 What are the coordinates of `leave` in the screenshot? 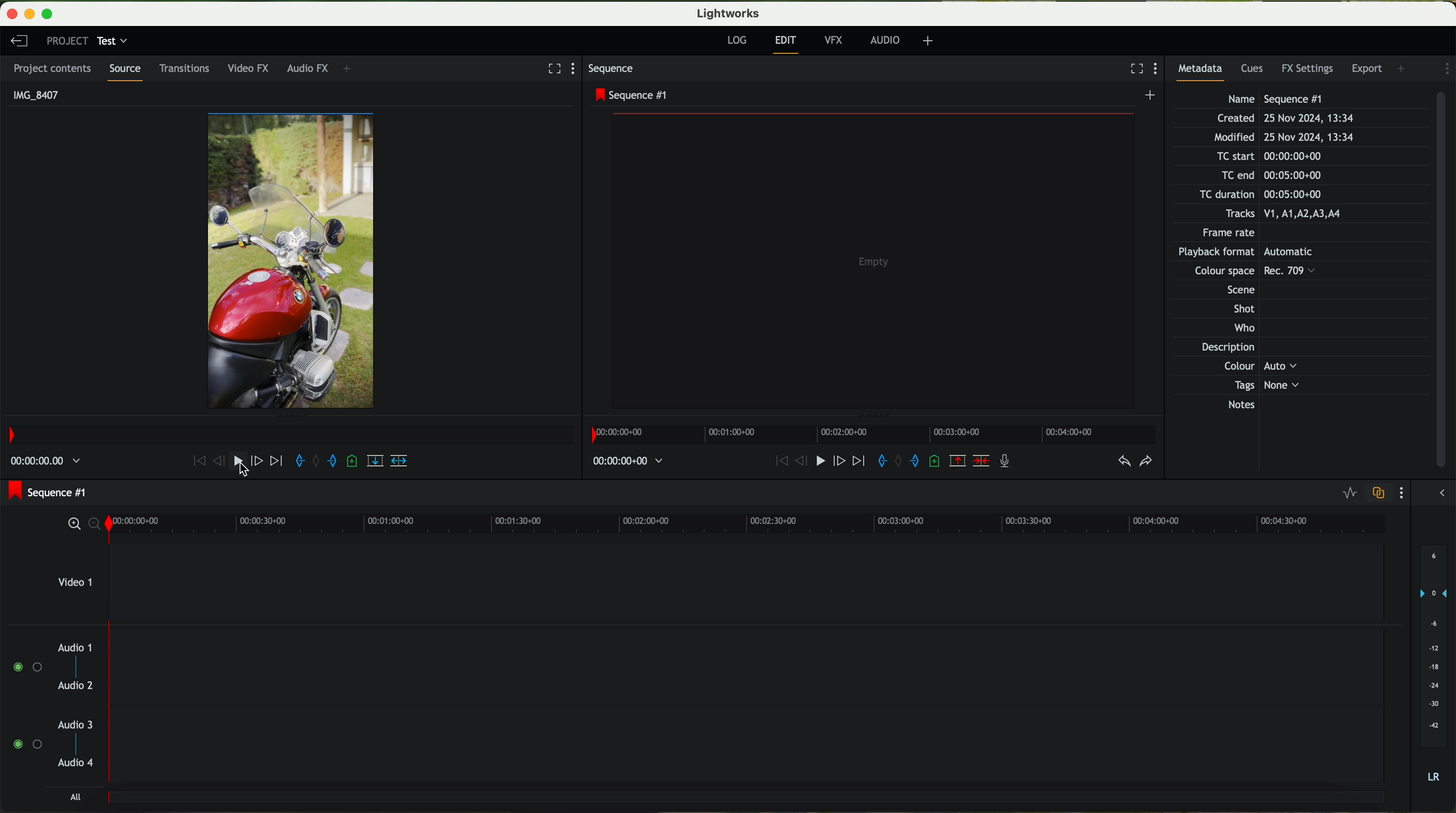 It's located at (18, 40).